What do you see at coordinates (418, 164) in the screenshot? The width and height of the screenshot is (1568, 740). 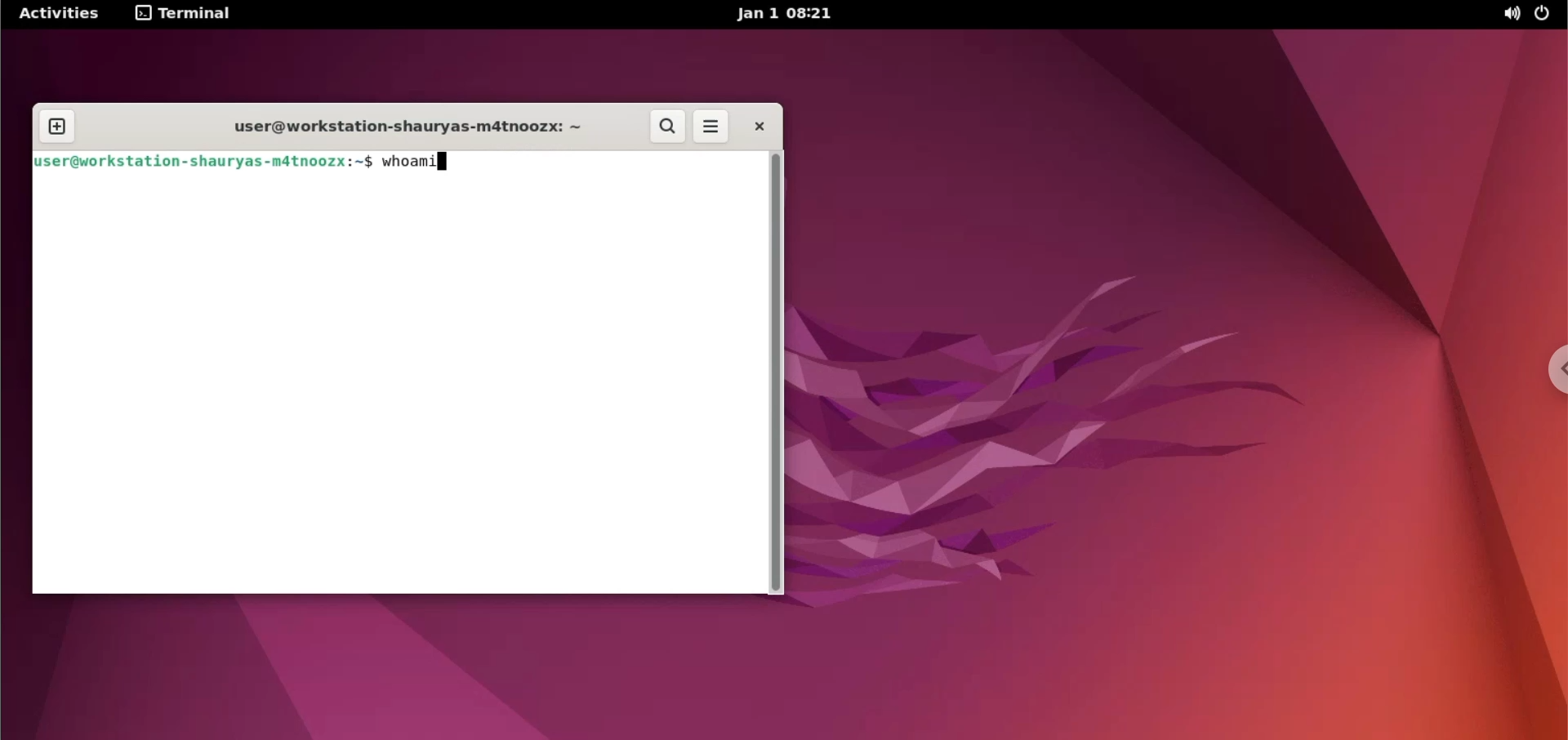 I see `whoami` at bounding box center [418, 164].